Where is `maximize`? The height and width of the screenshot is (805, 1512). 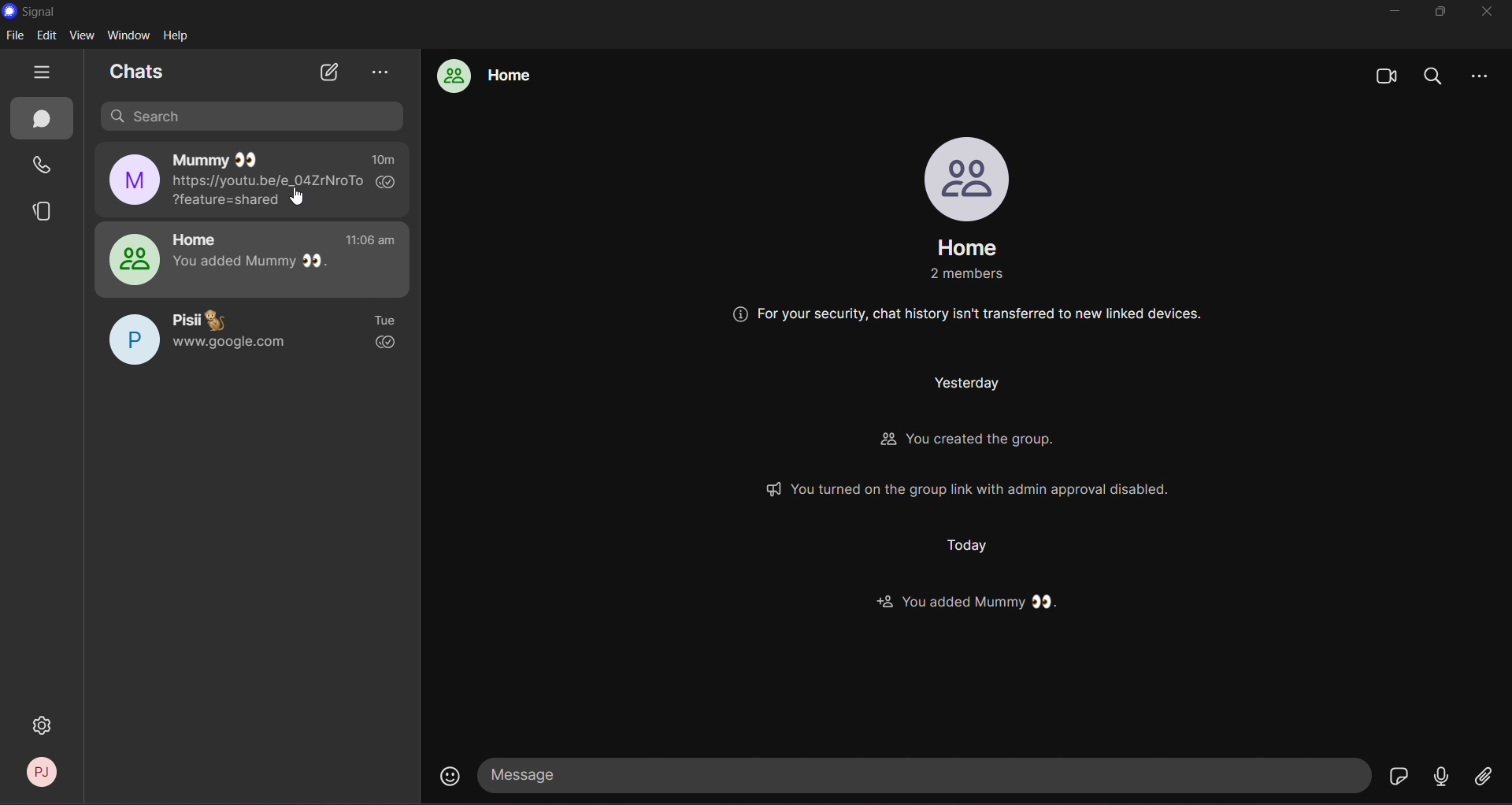 maximize is located at coordinates (1436, 14).